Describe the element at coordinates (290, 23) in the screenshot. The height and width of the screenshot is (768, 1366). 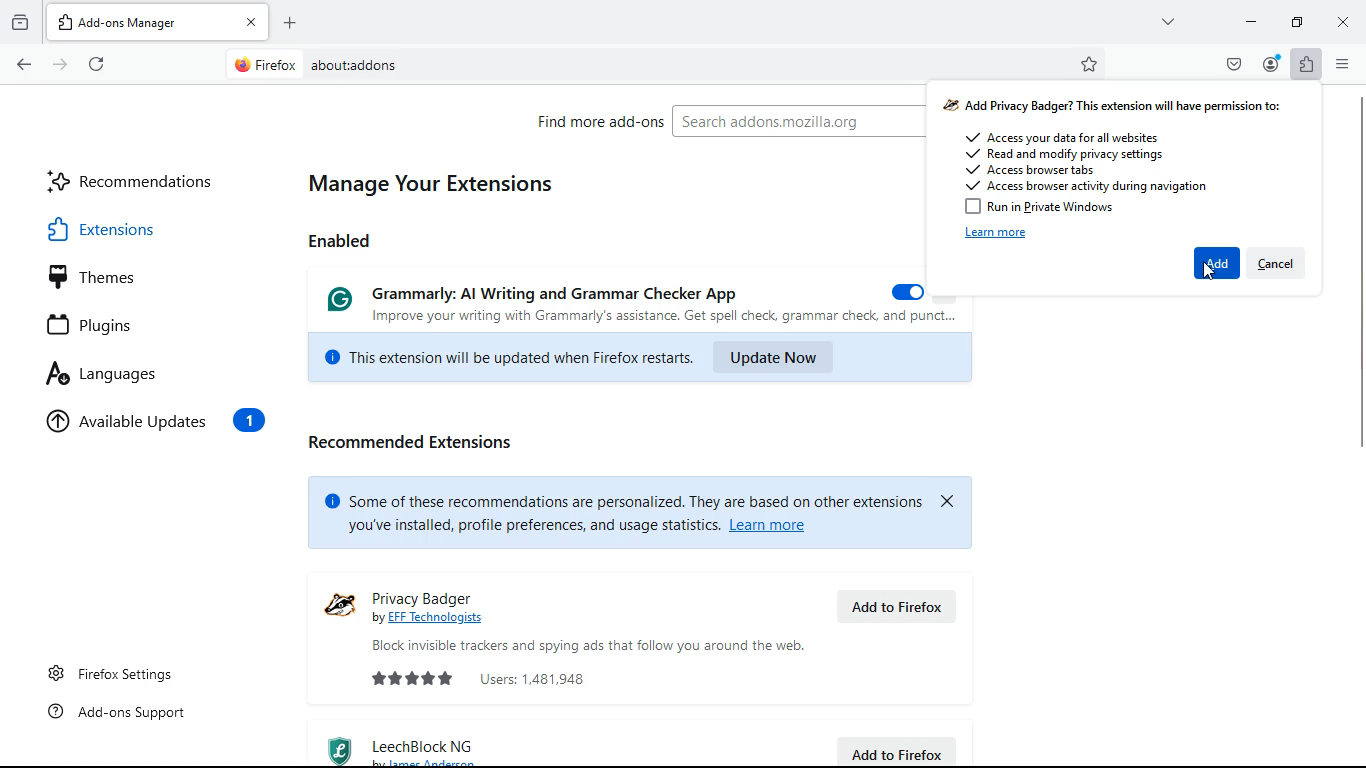
I see `open new tab` at that location.